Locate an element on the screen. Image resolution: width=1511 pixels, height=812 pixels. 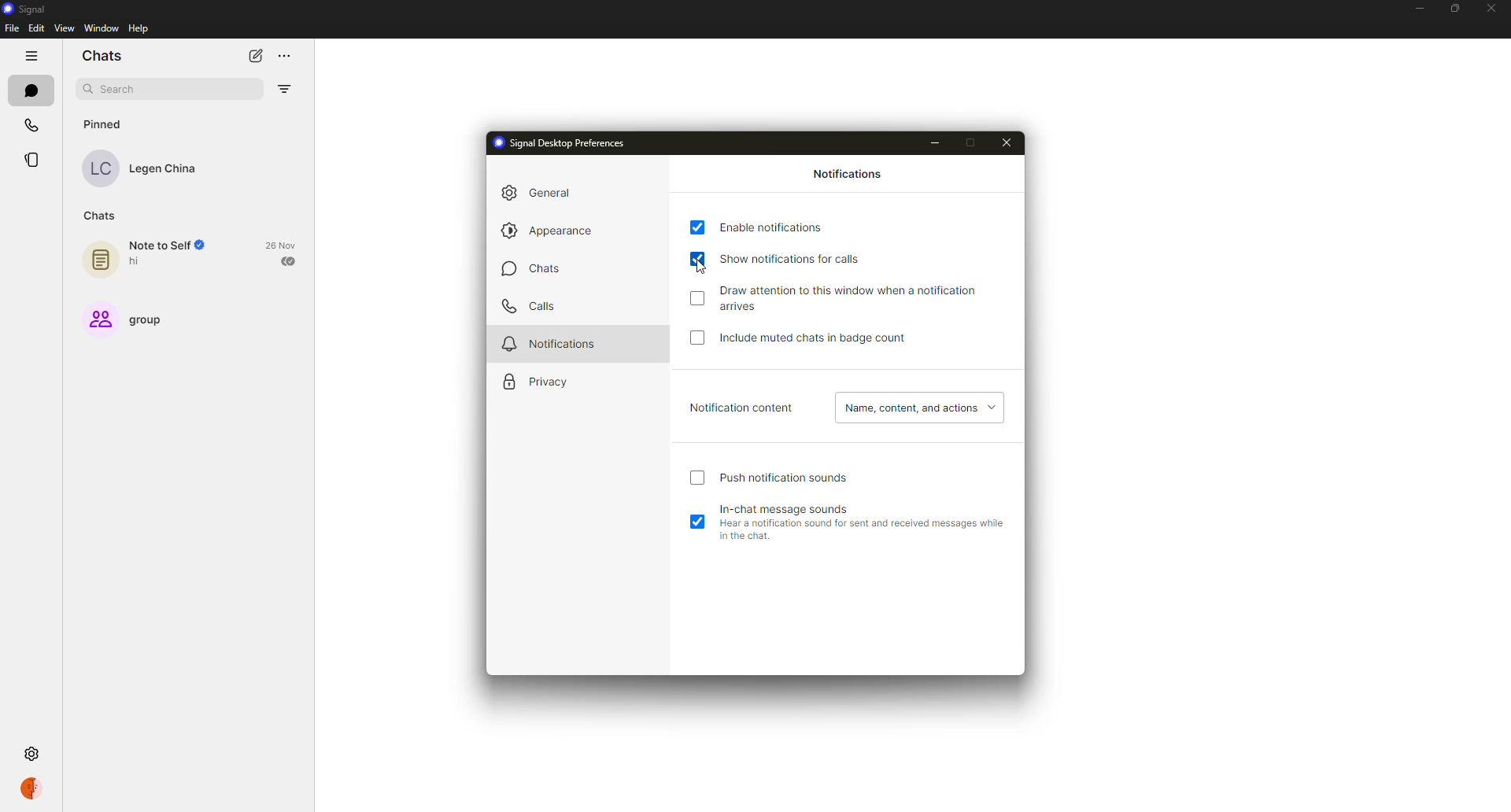
privacy is located at coordinates (538, 380).